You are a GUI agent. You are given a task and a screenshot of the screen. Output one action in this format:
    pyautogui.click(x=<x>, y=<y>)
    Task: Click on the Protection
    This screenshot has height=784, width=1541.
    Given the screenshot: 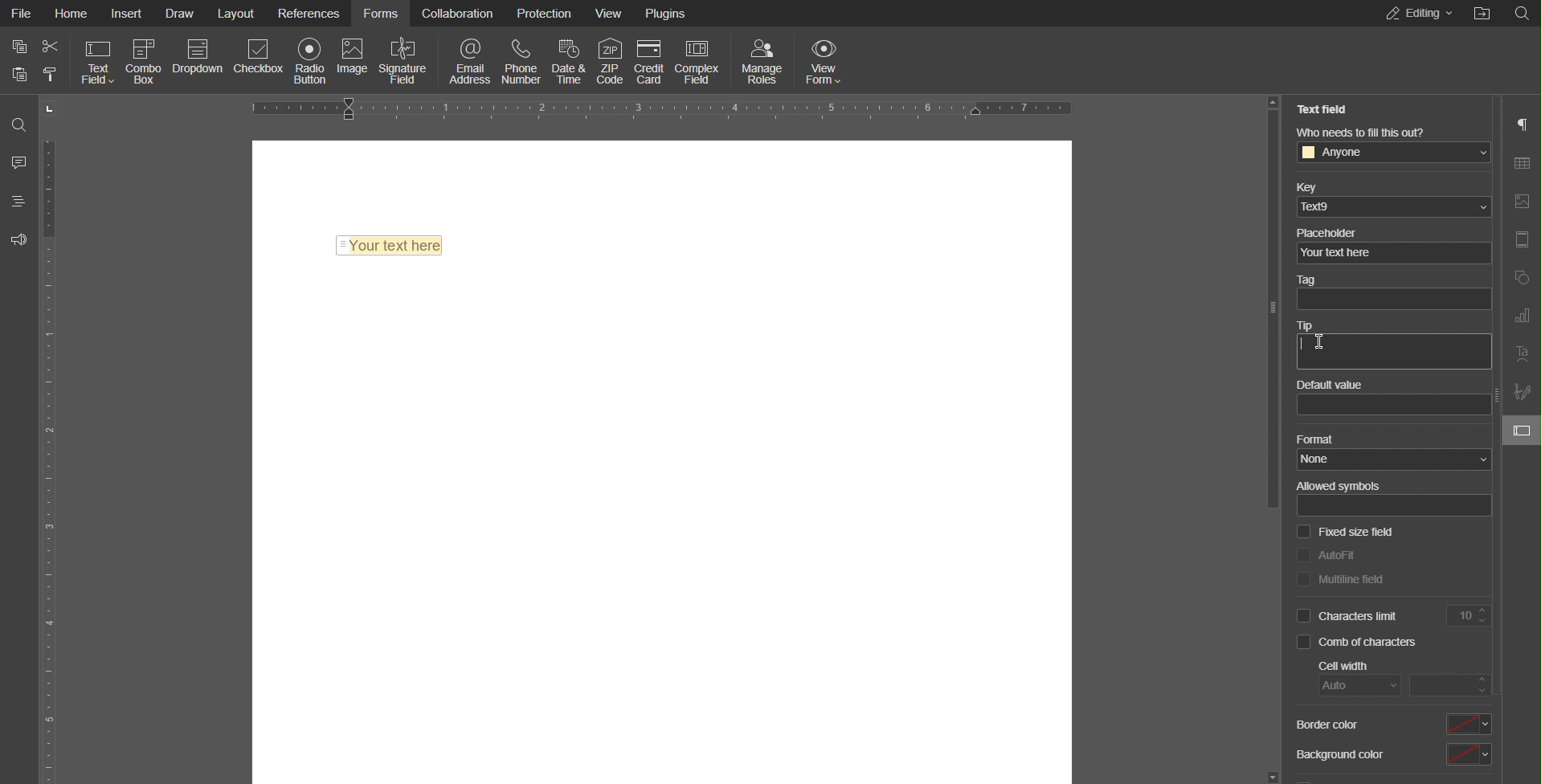 What is the action you would take?
    pyautogui.click(x=547, y=12)
    